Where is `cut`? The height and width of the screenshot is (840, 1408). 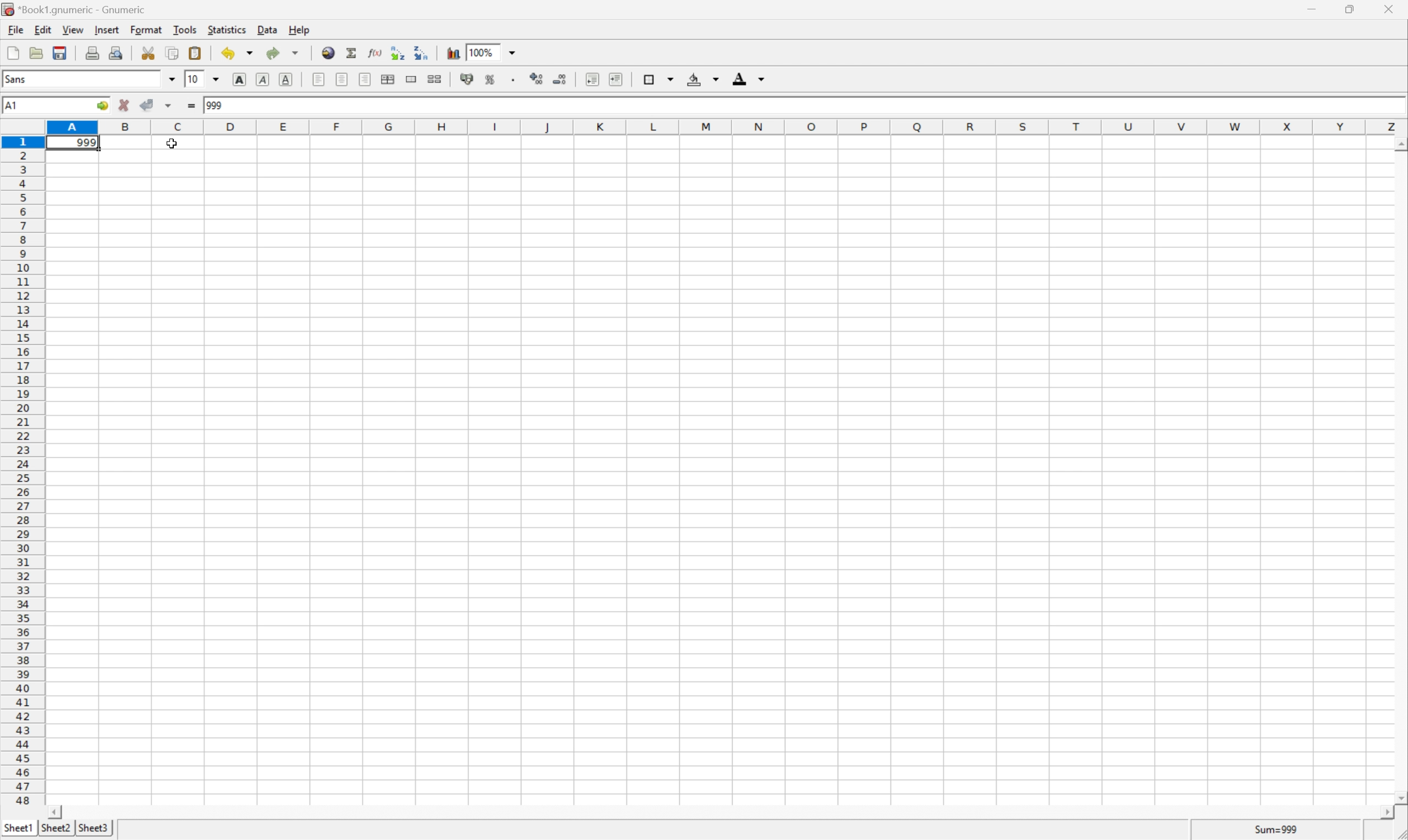
cut is located at coordinates (149, 56).